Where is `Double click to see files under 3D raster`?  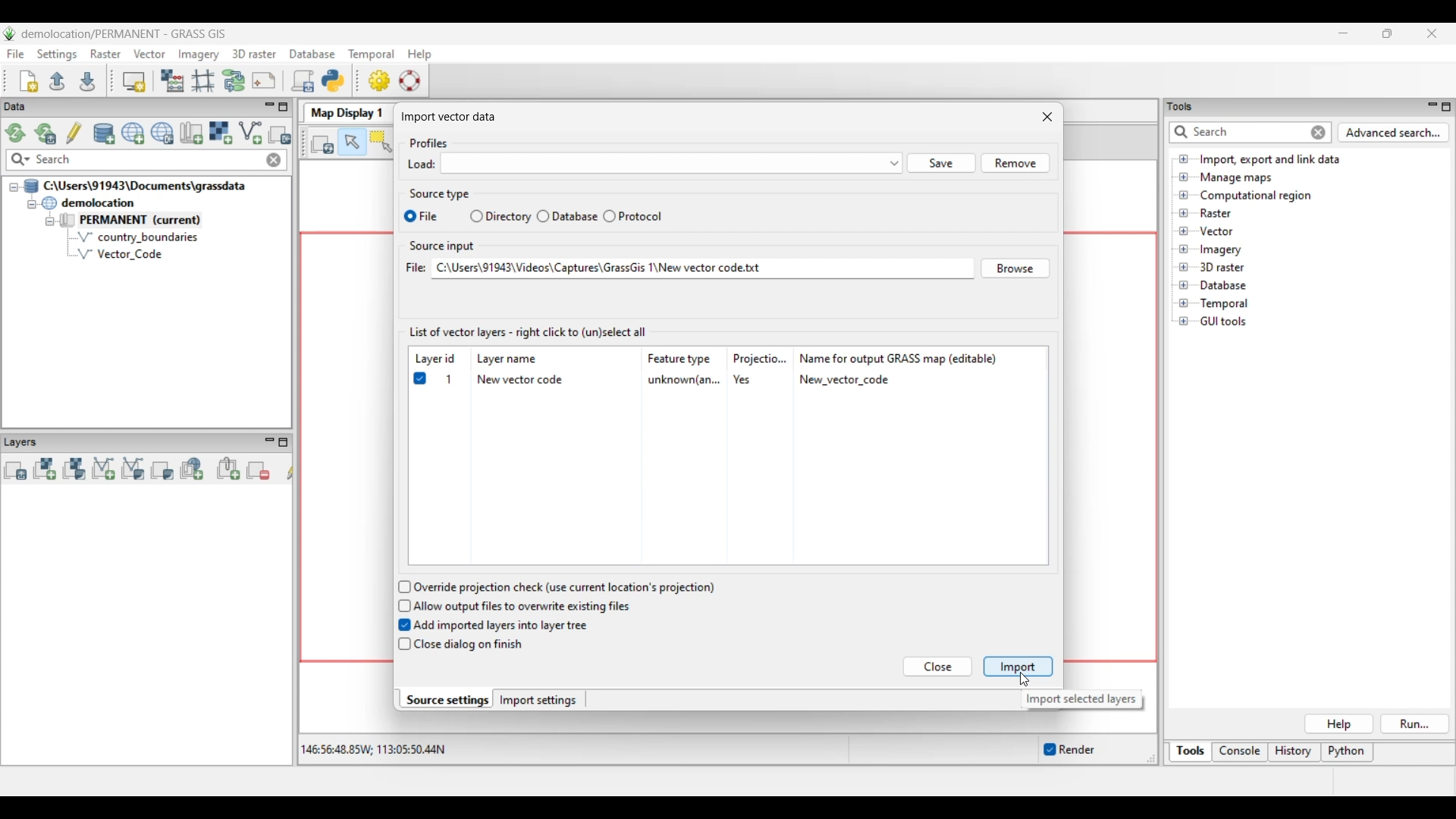 Double click to see files under 3D raster is located at coordinates (1222, 267).